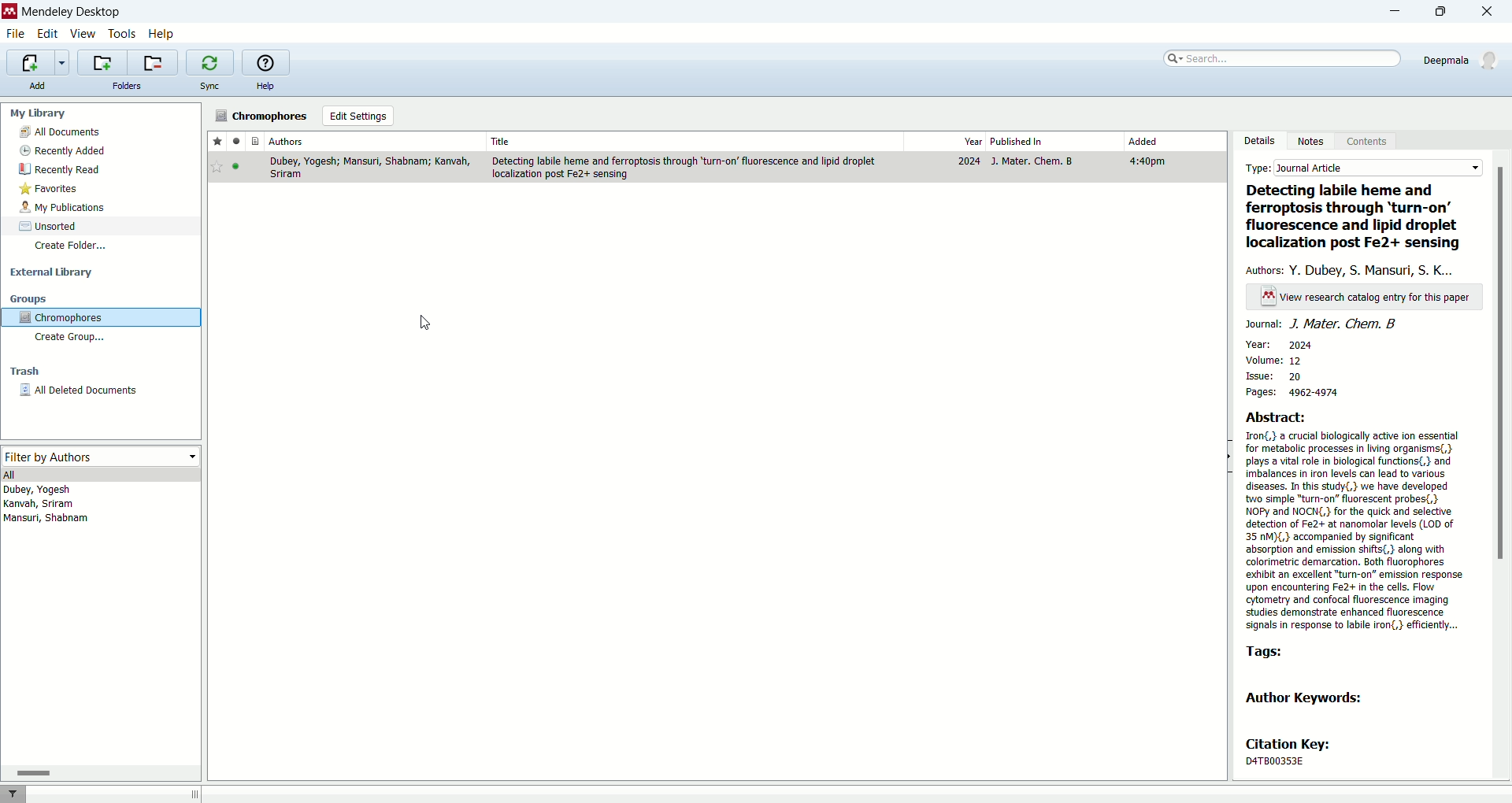  Describe the element at coordinates (1280, 343) in the screenshot. I see `year:  2024` at that location.